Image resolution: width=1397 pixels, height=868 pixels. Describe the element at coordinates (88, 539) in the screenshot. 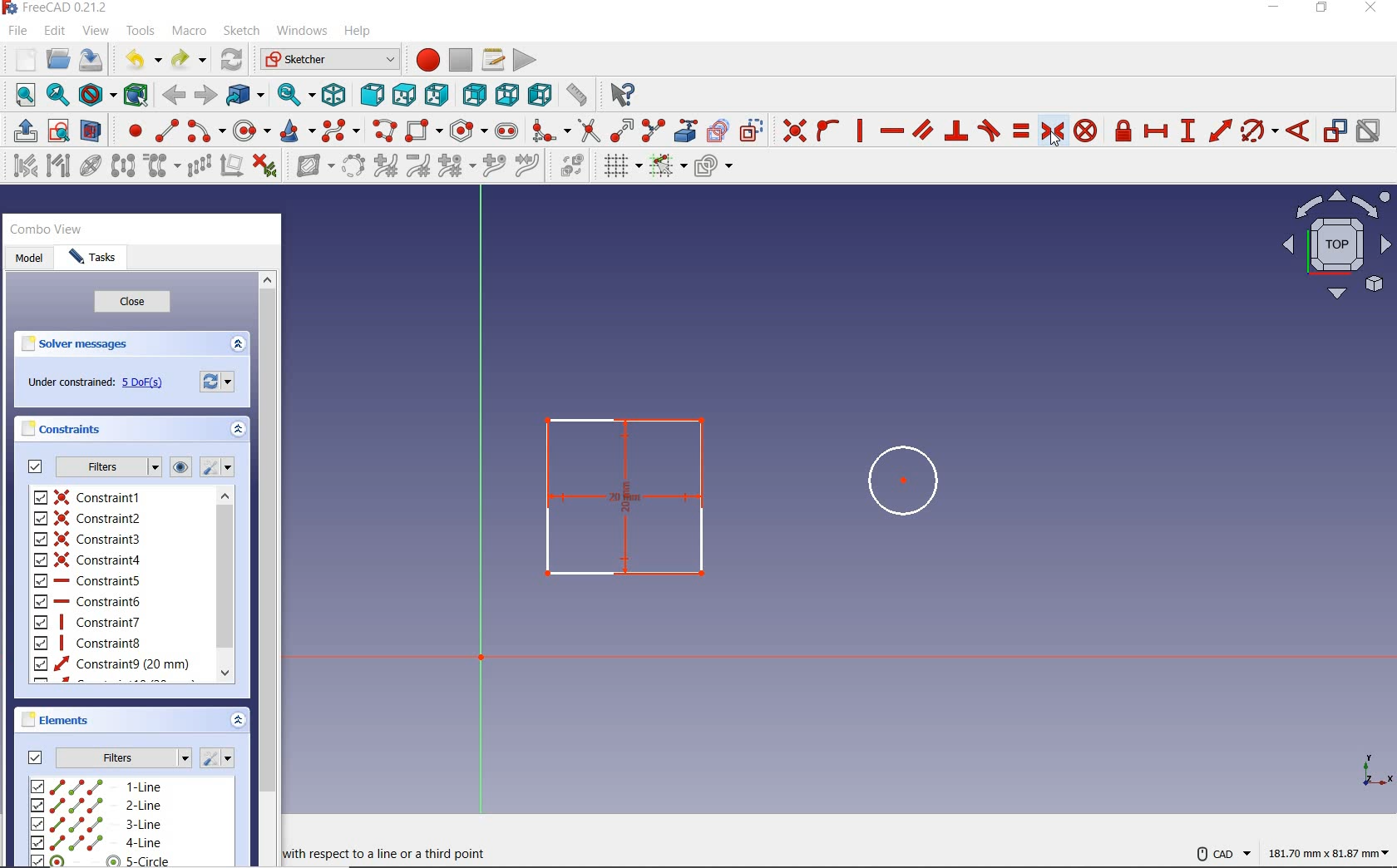

I see `constraint3` at that location.